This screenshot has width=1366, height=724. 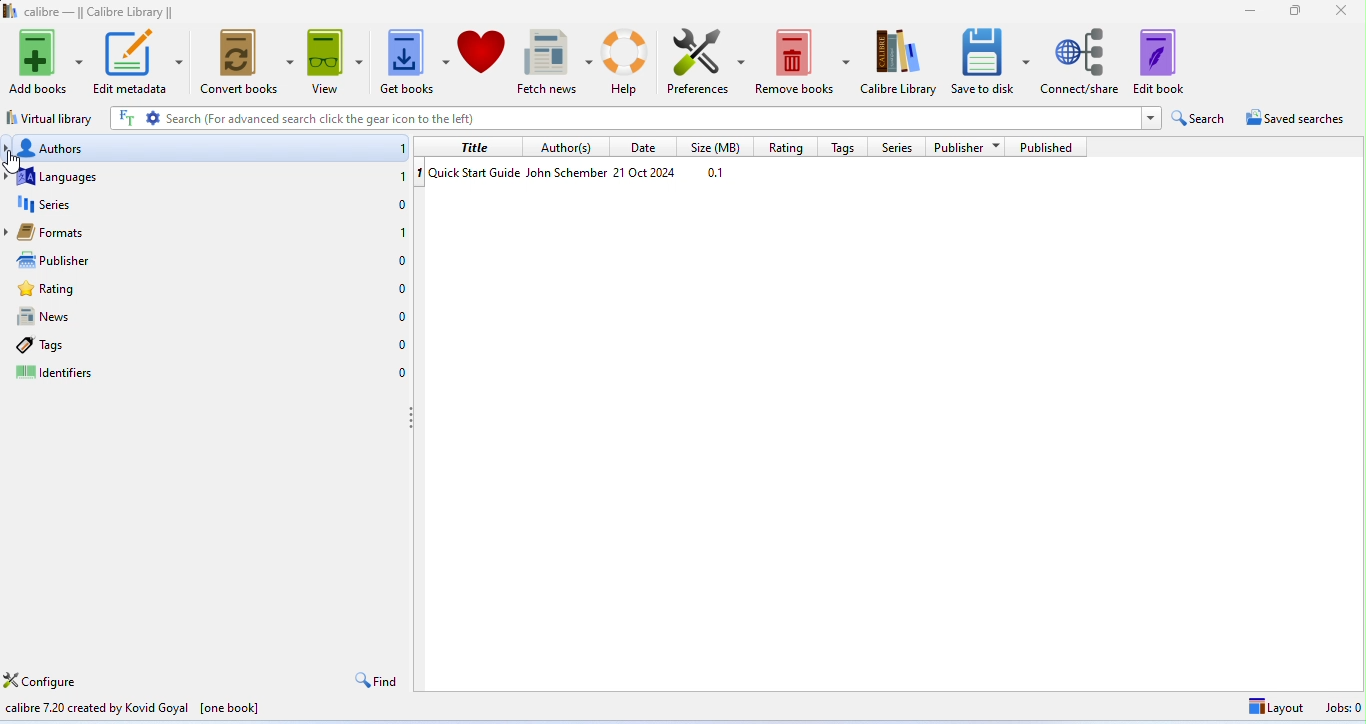 I want to click on 1, so click(x=423, y=173).